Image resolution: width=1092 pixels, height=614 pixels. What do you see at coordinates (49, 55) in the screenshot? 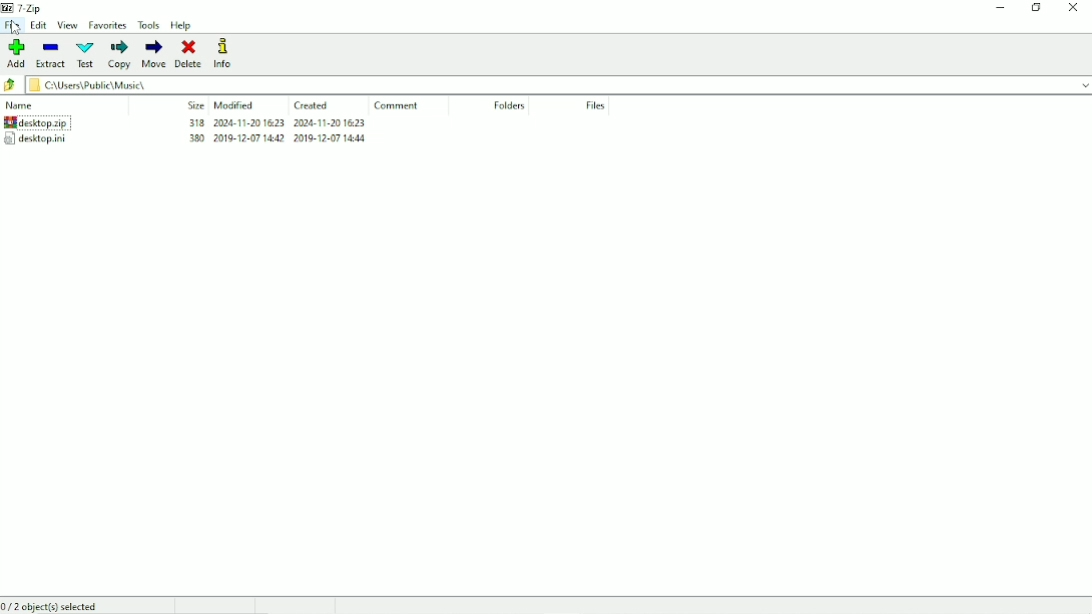
I see `Extract` at bounding box center [49, 55].